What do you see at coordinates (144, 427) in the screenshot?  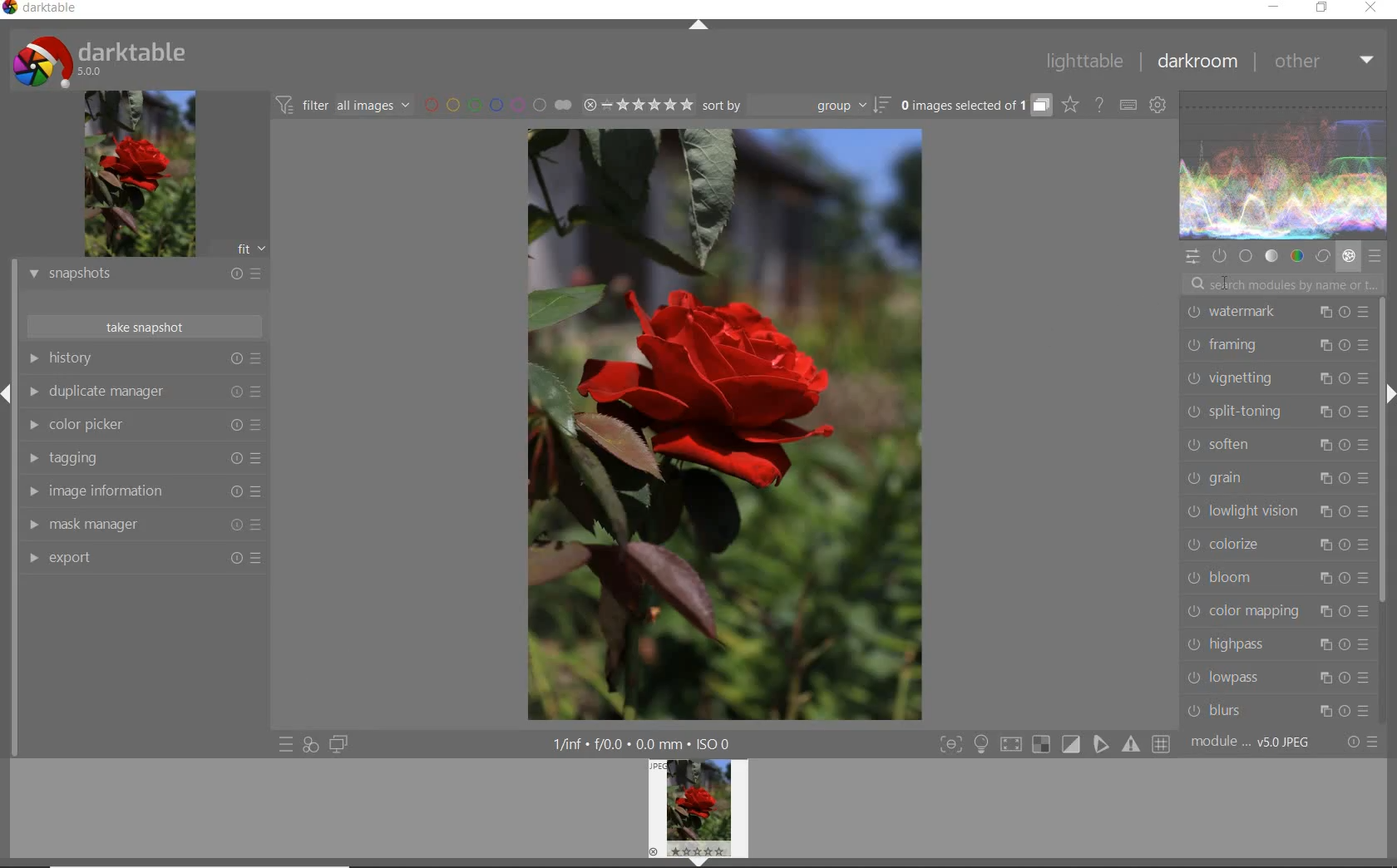 I see `color picker` at bounding box center [144, 427].